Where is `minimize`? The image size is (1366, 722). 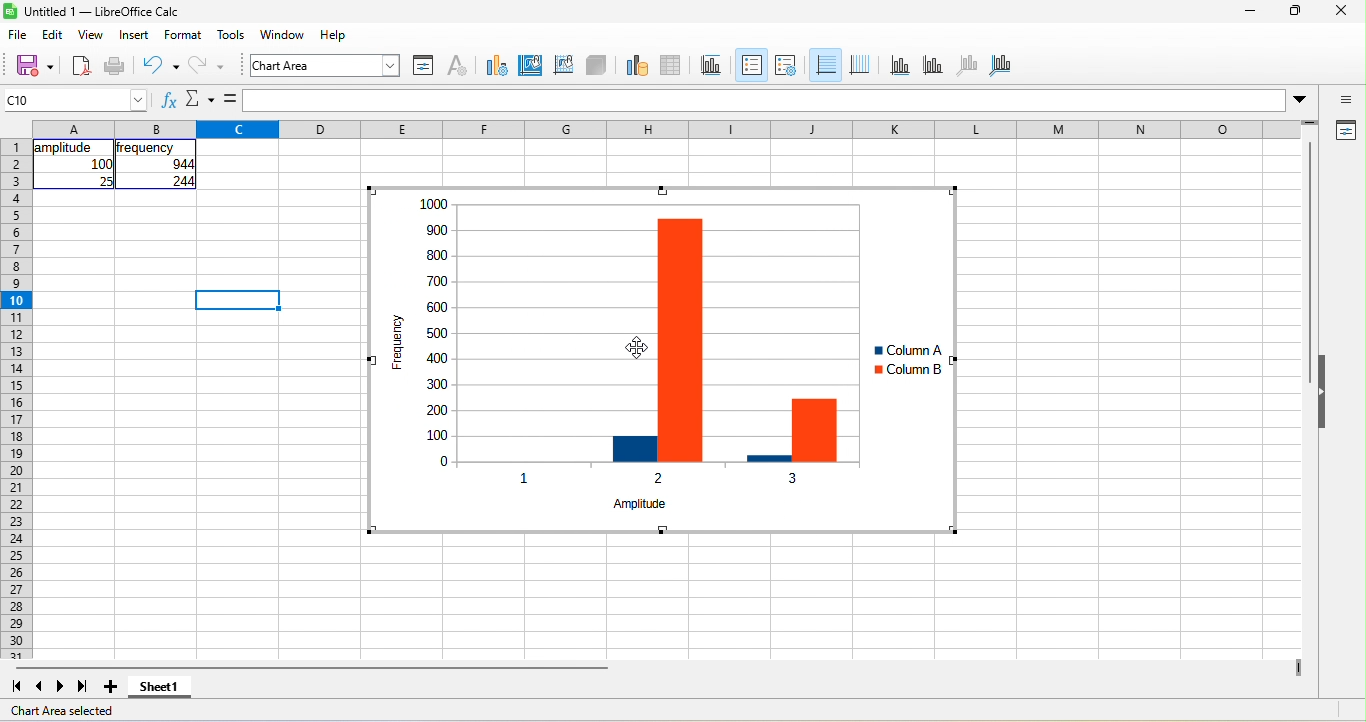
minimize is located at coordinates (1250, 10).